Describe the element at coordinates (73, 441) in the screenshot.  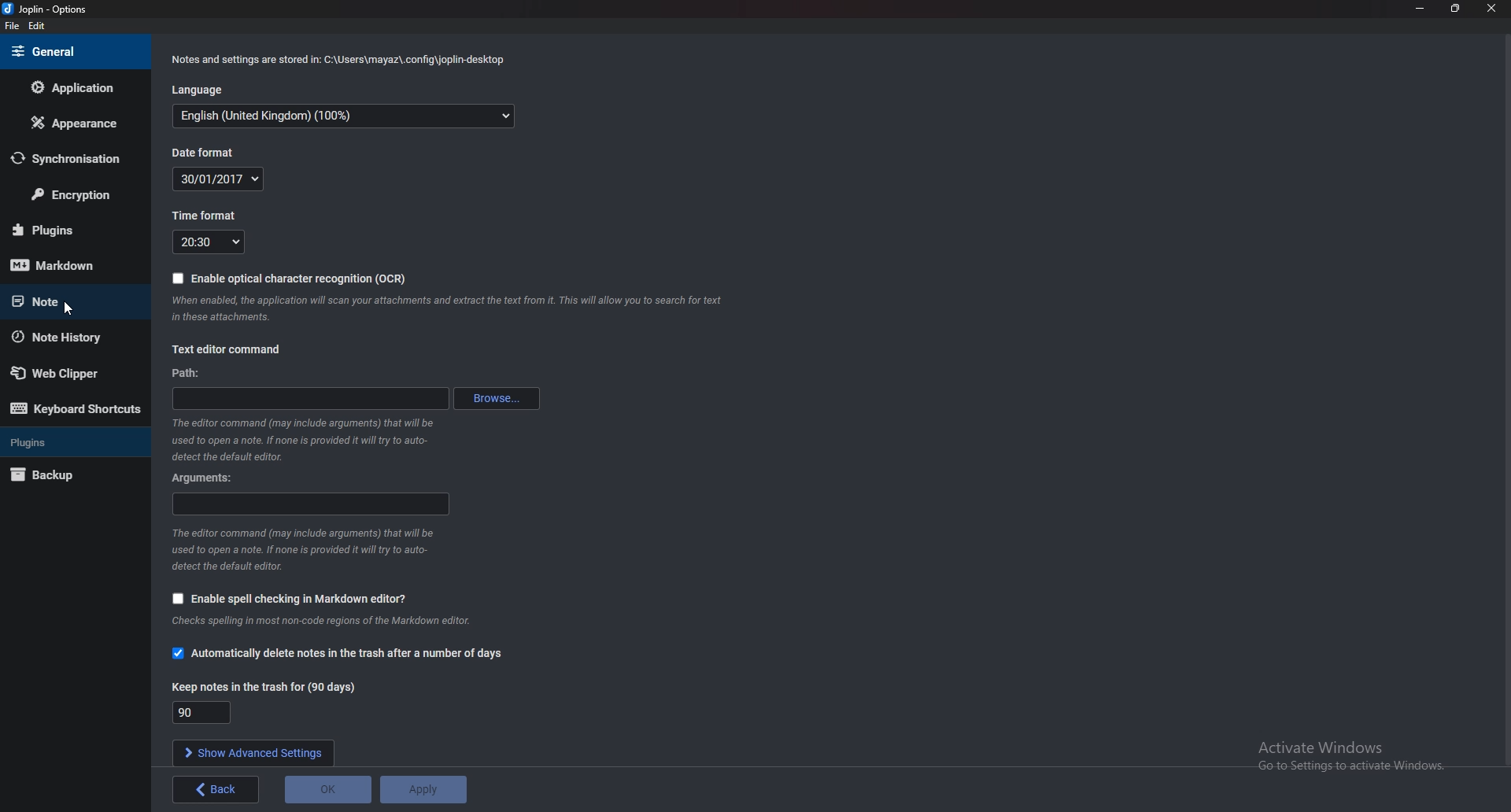
I see `Plugins` at that location.